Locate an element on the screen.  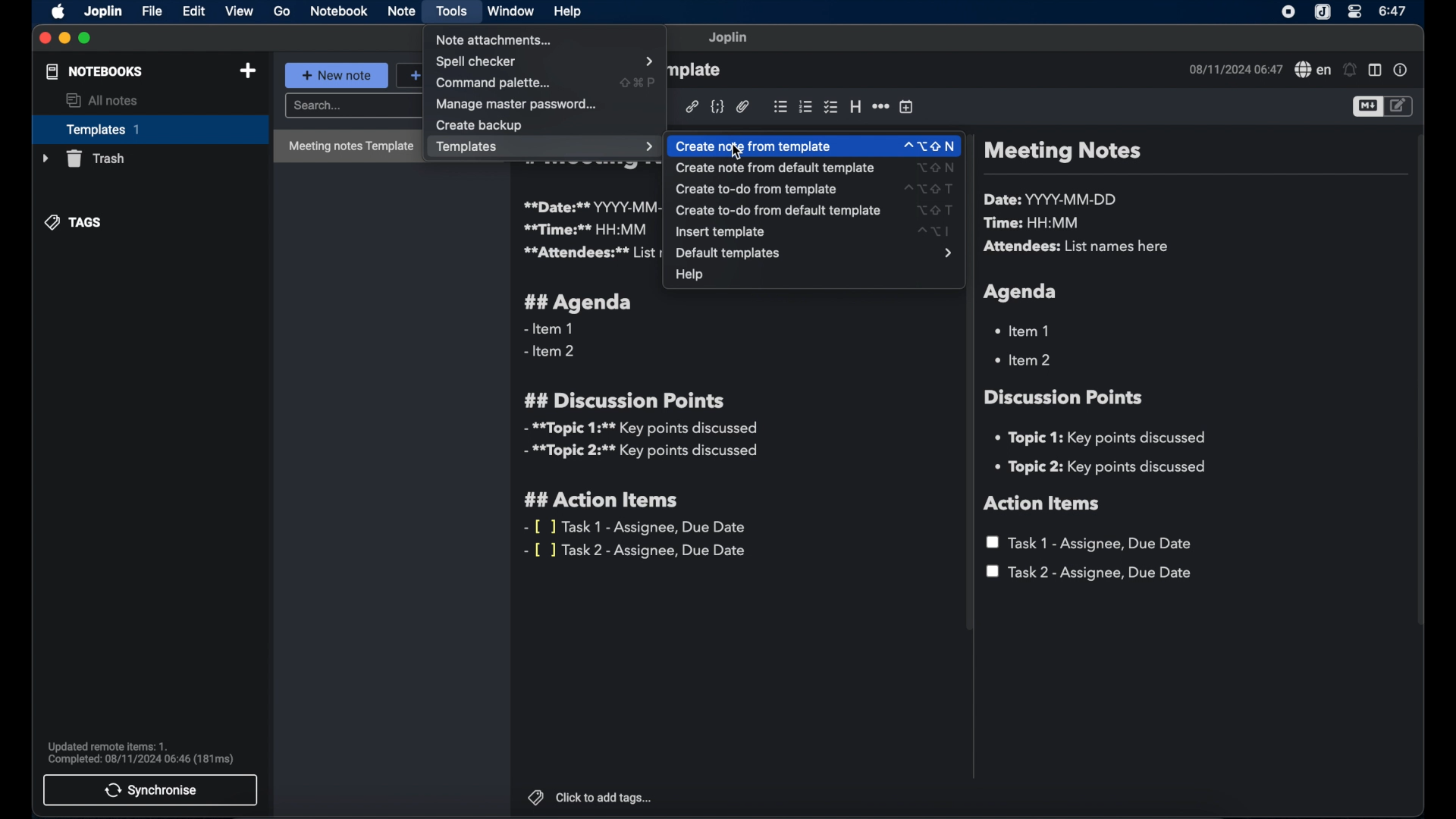
hyperlink is located at coordinates (692, 106).